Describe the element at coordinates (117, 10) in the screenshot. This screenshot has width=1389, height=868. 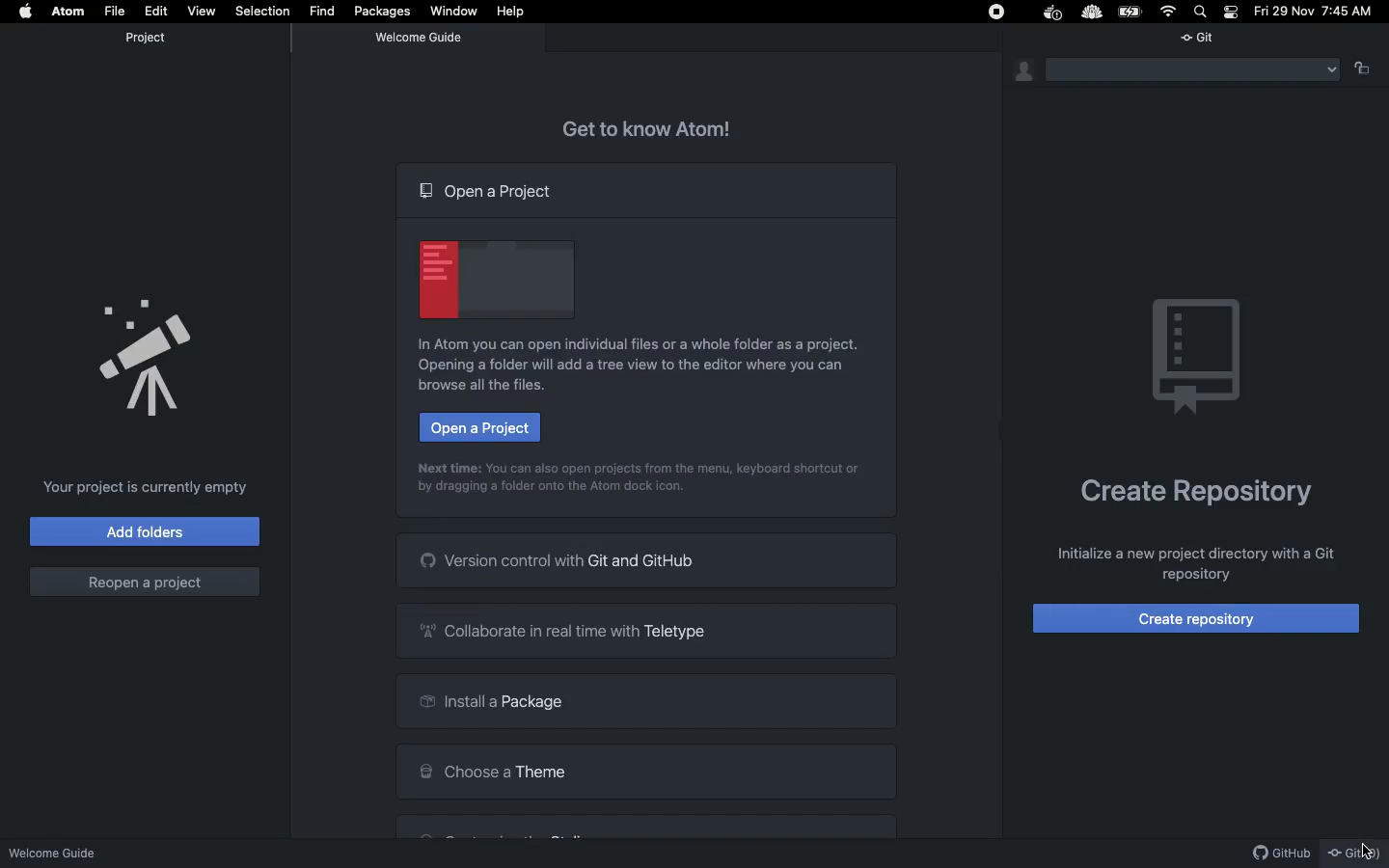
I see `File` at that location.